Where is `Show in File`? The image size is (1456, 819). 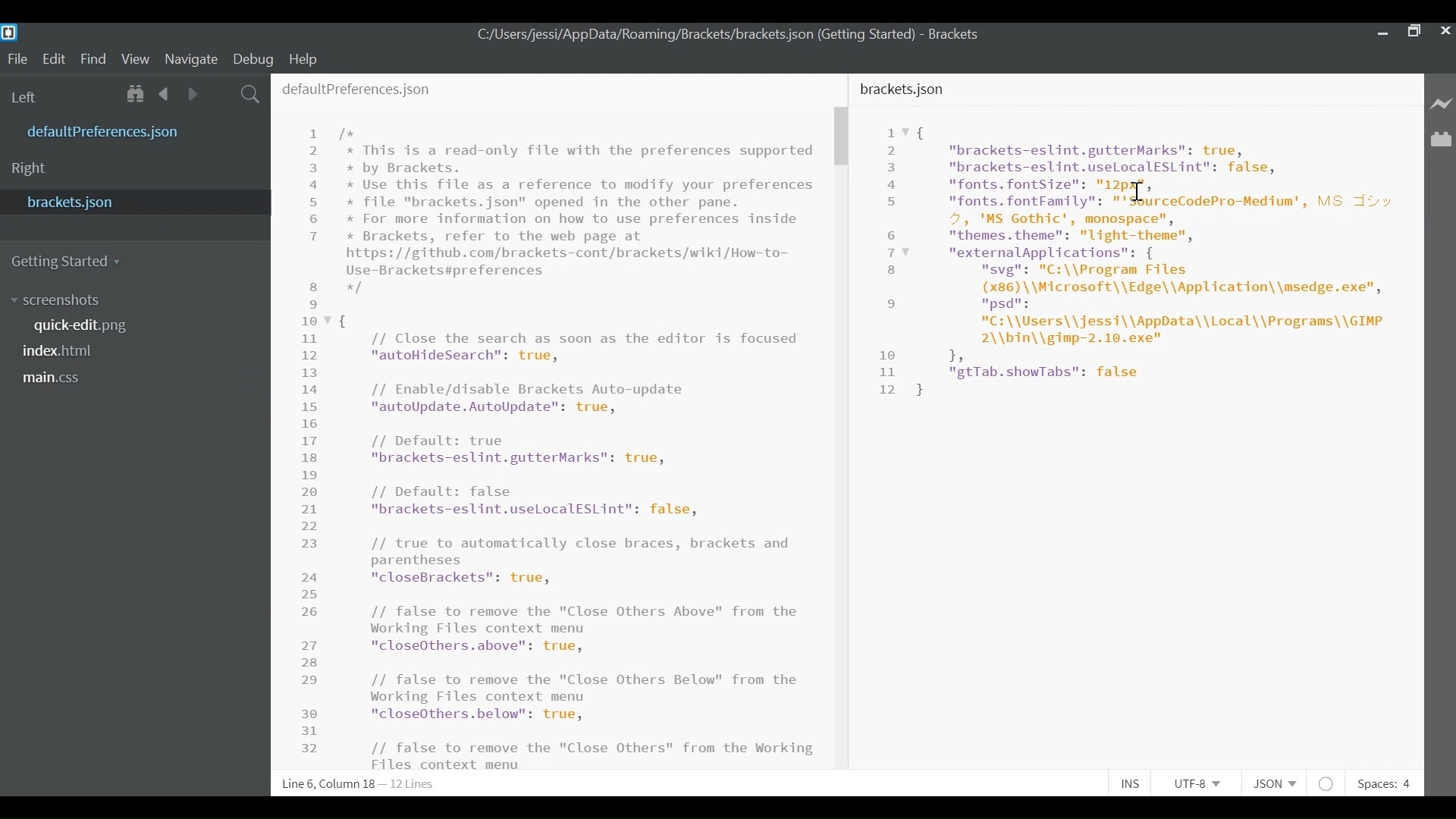 Show in File is located at coordinates (136, 94).